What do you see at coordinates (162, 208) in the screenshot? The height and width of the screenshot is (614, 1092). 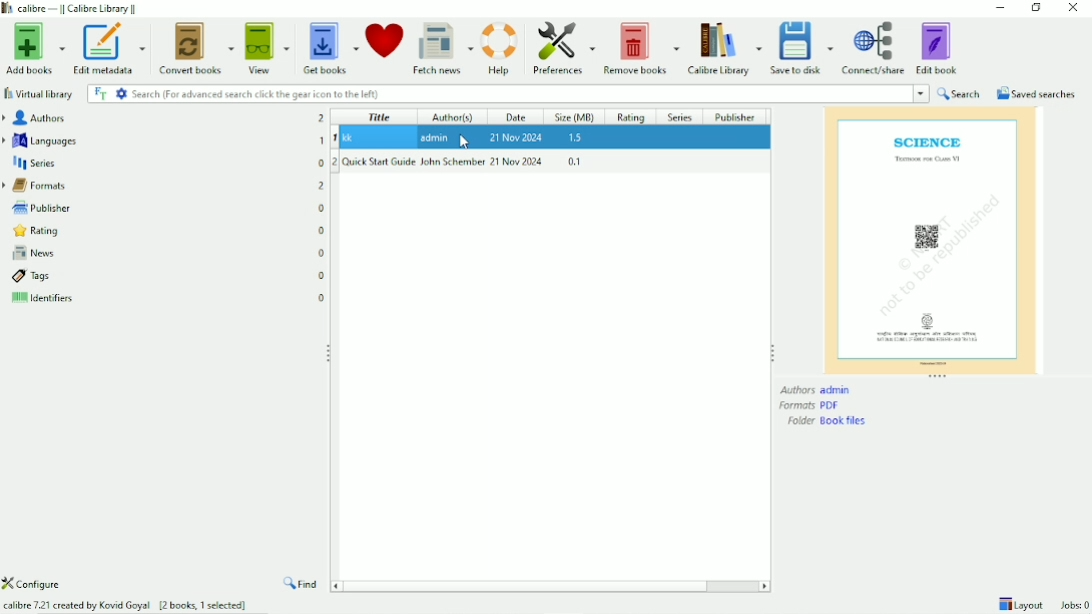 I see `Publisher` at bounding box center [162, 208].